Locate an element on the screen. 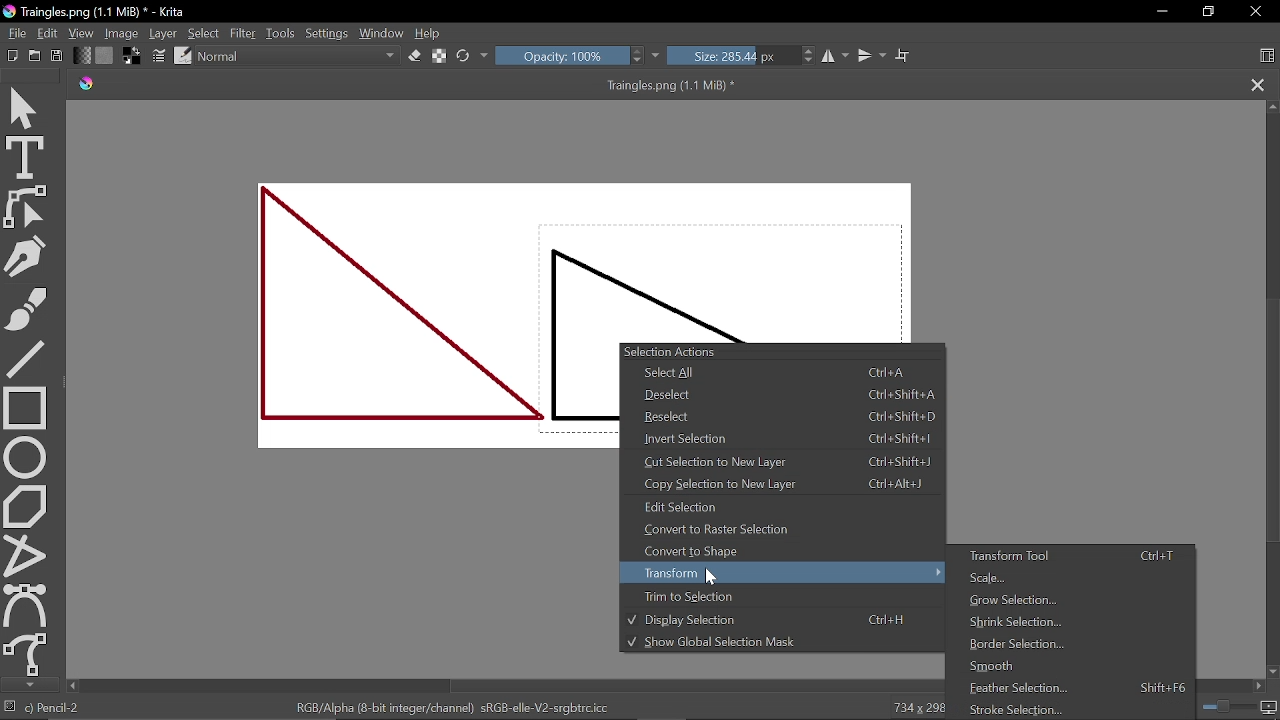 The width and height of the screenshot is (1280, 720). Convert to Raster Selection is located at coordinates (782, 529).